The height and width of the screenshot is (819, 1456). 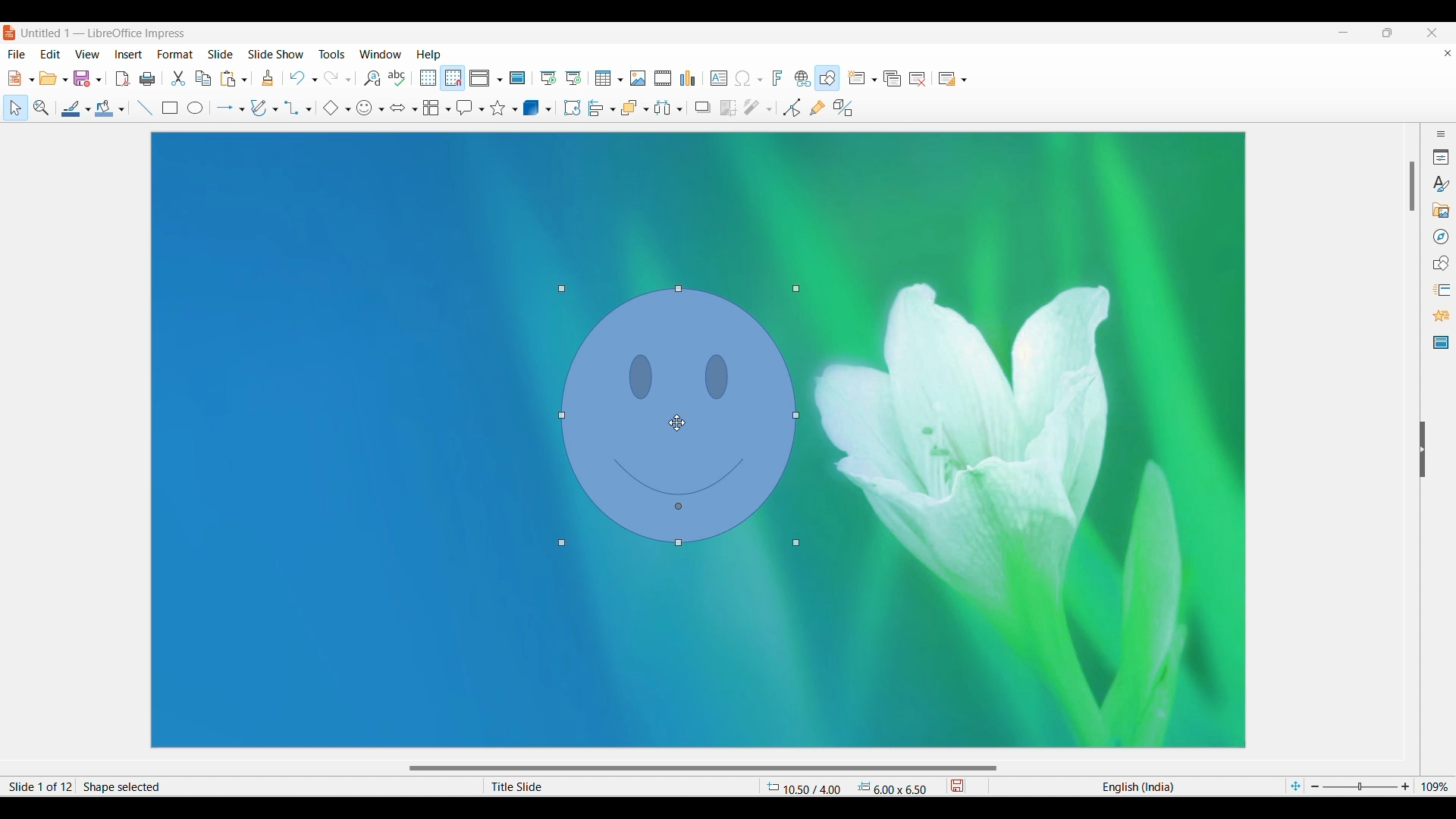 What do you see at coordinates (532, 107) in the screenshot?
I see `Selected 3D object` at bounding box center [532, 107].